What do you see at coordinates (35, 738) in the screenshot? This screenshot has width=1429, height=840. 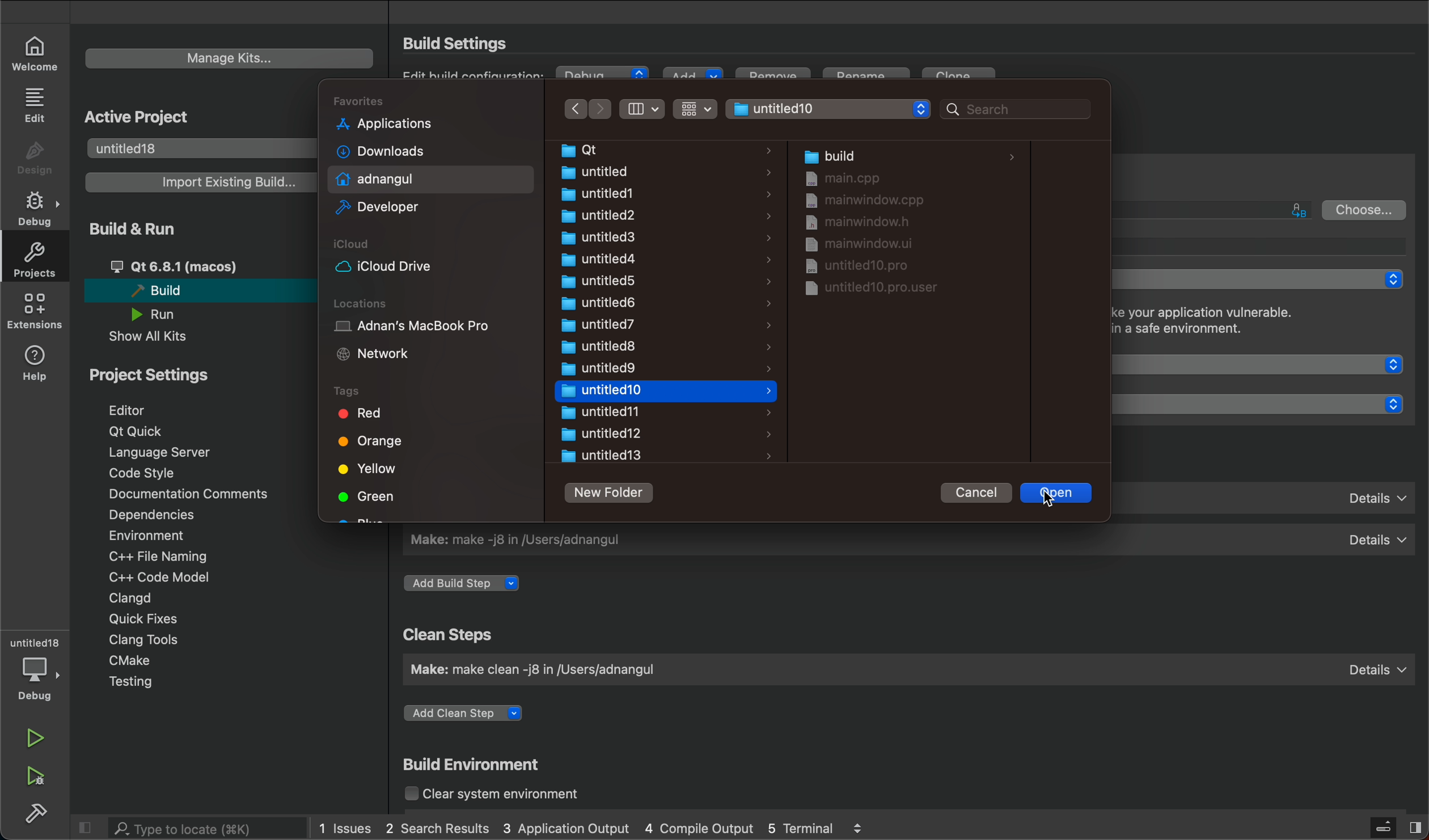 I see `run` at bounding box center [35, 738].